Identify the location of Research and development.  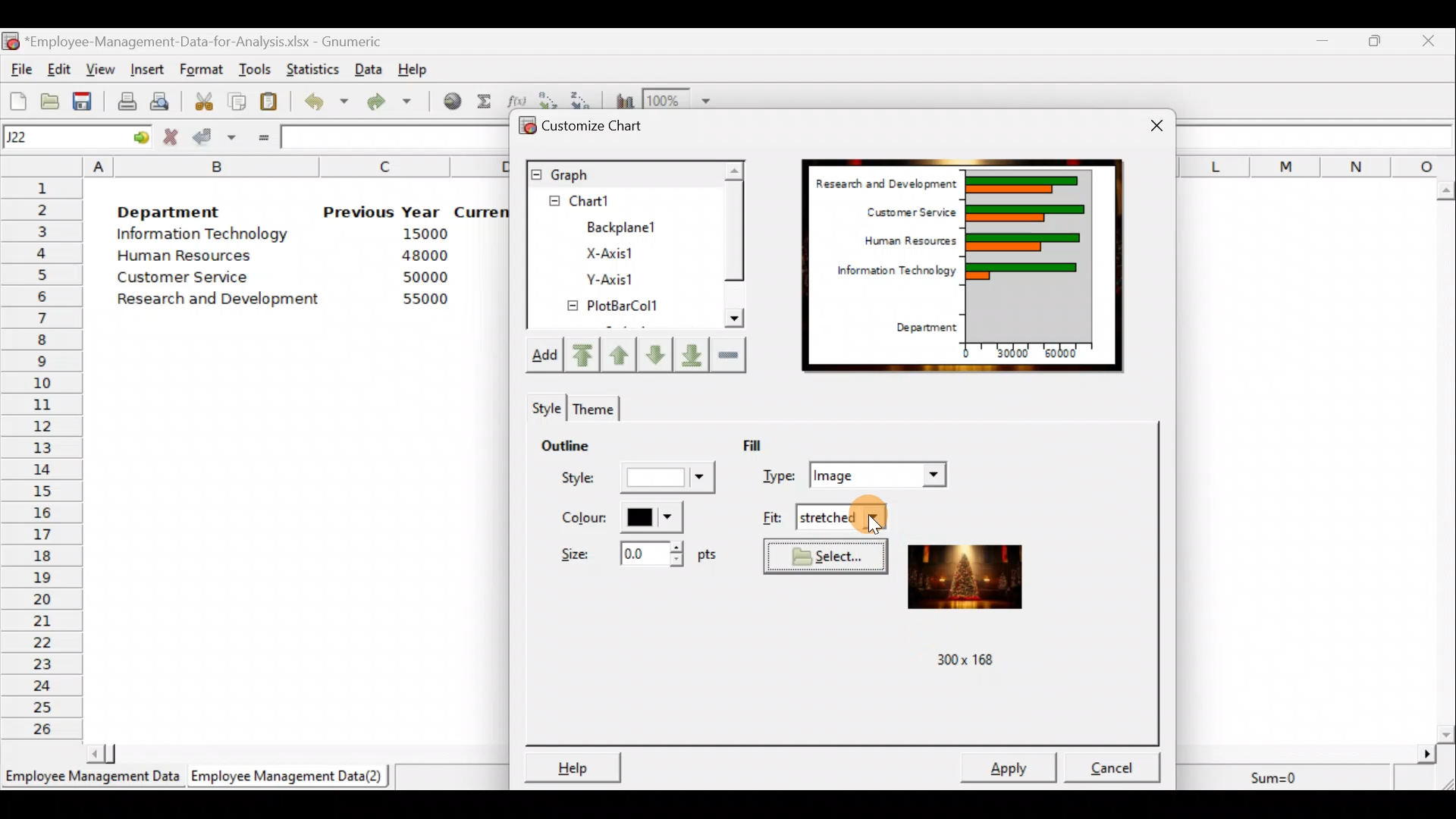
(219, 297).